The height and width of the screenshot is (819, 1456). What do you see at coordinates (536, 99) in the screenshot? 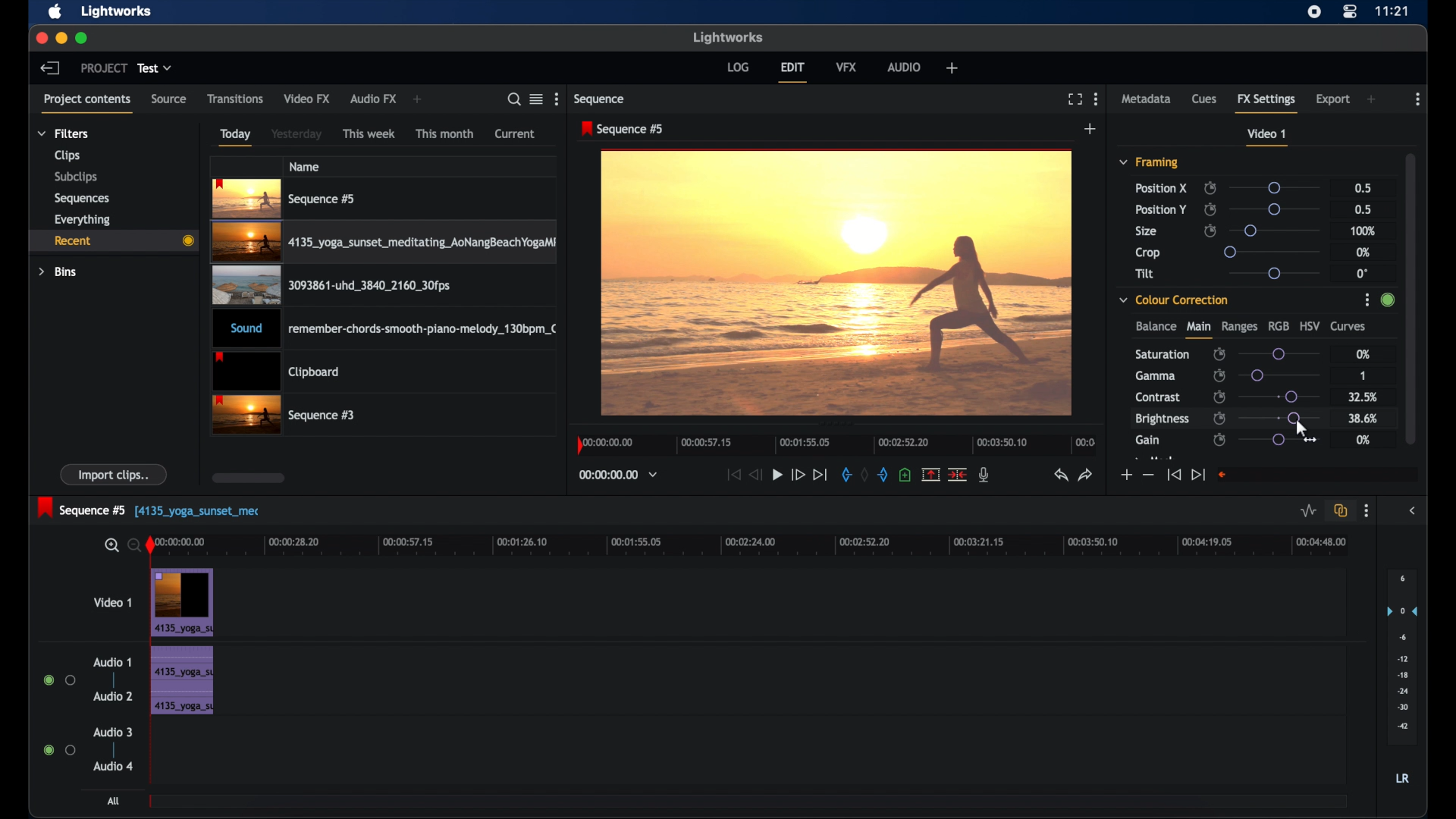
I see `toggle list or tile view` at bounding box center [536, 99].